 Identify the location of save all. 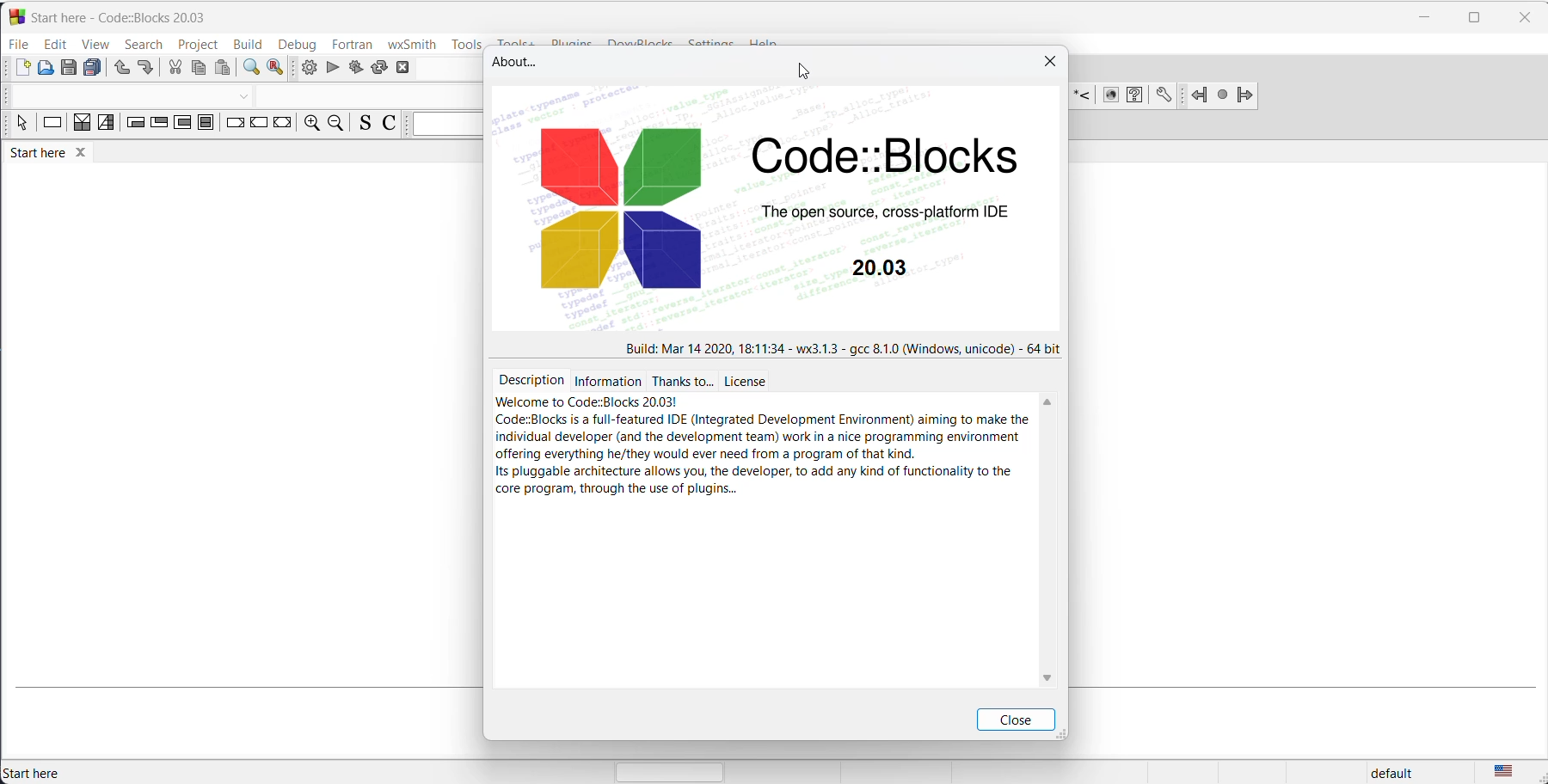
(92, 70).